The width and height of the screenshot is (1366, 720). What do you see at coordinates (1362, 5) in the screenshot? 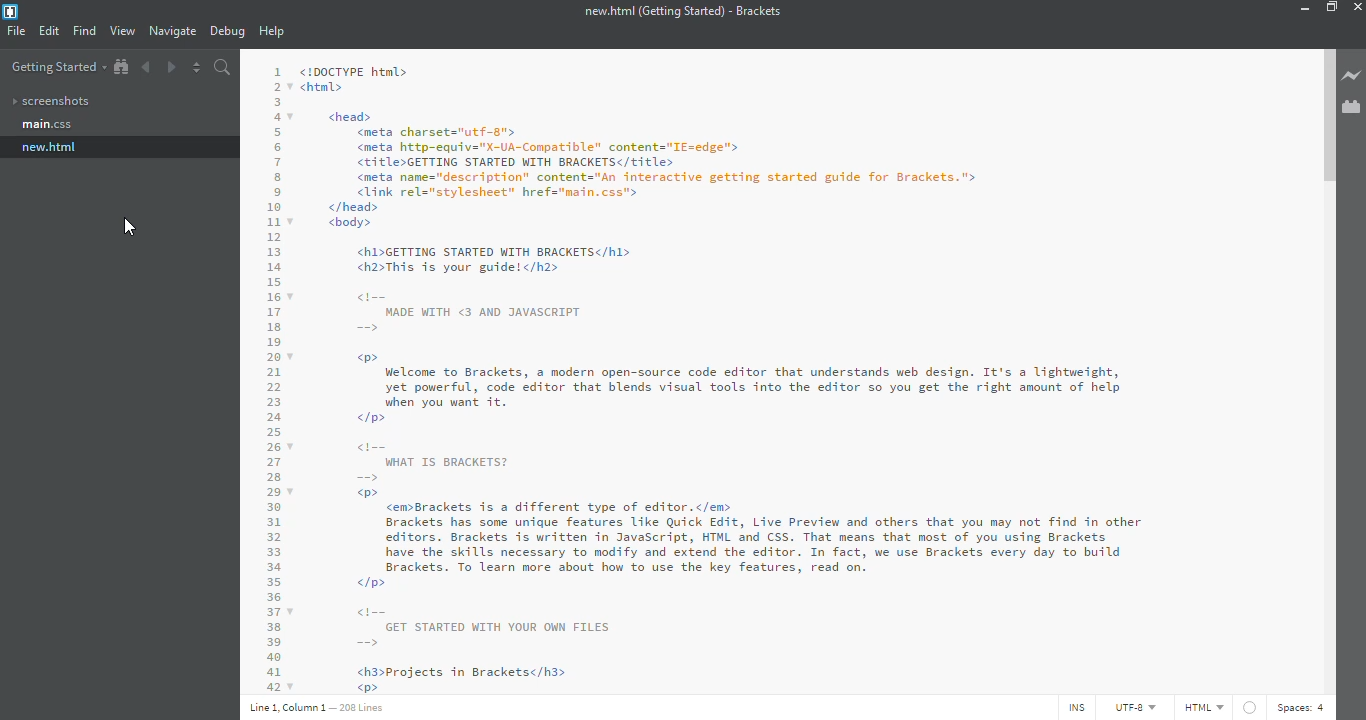
I see `close` at bounding box center [1362, 5].